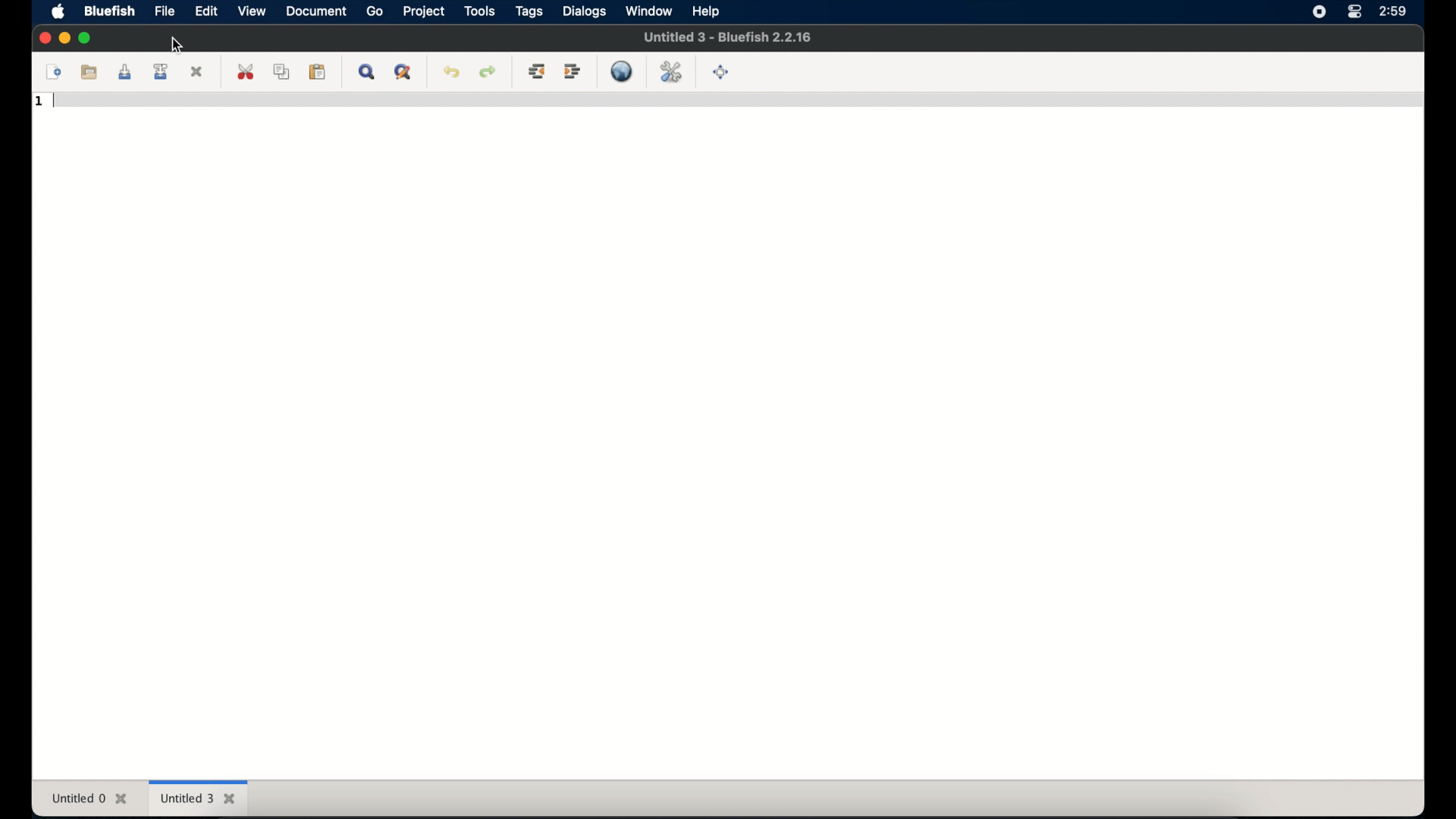 The height and width of the screenshot is (819, 1456). What do you see at coordinates (198, 799) in the screenshot?
I see `untitled 3` at bounding box center [198, 799].